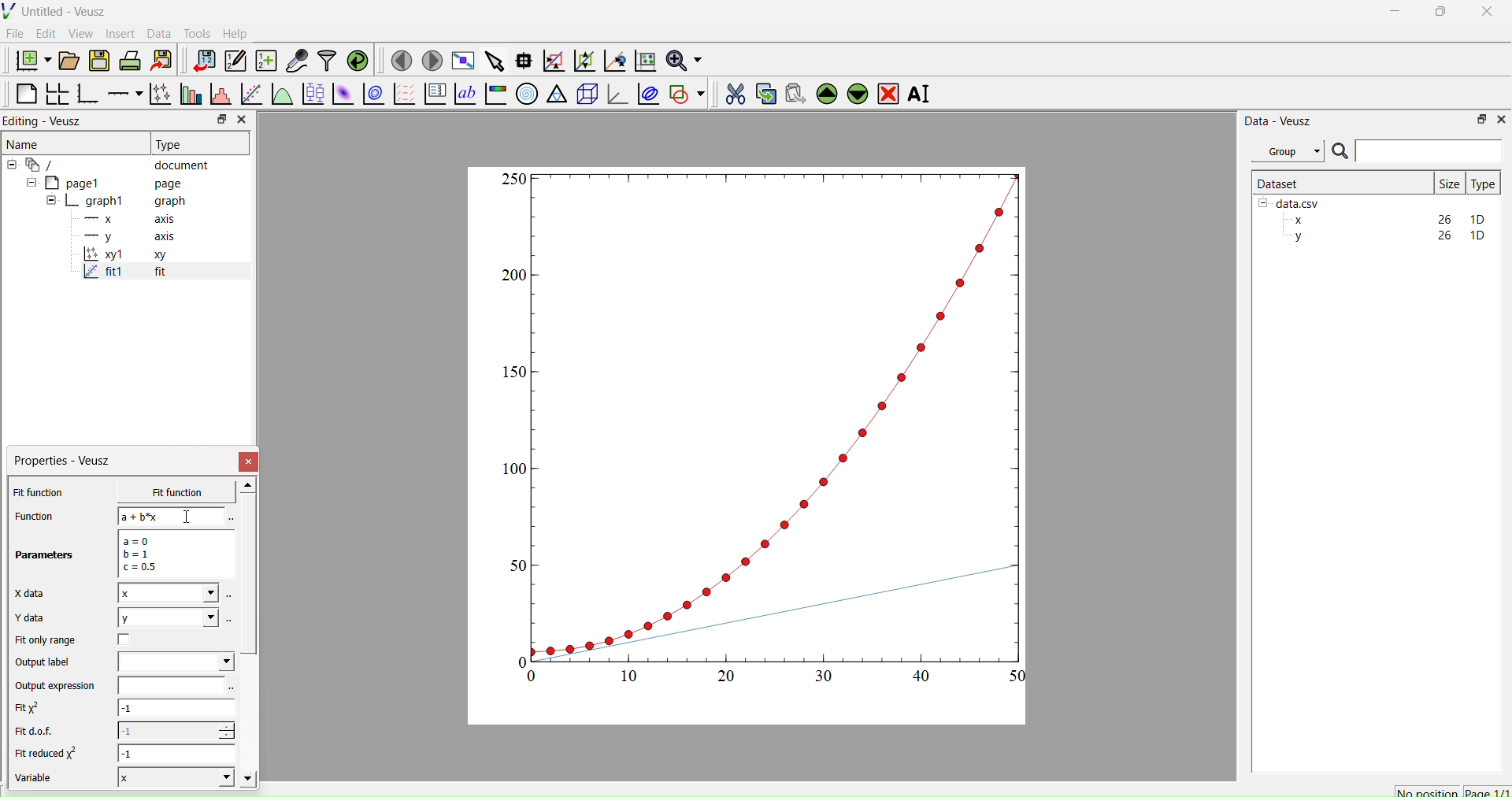 The width and height of the screenshot is (1512, 797). Describe the element at coordinates (232, 689) in the screenshot. I see `Select using dataset browser` at that location.